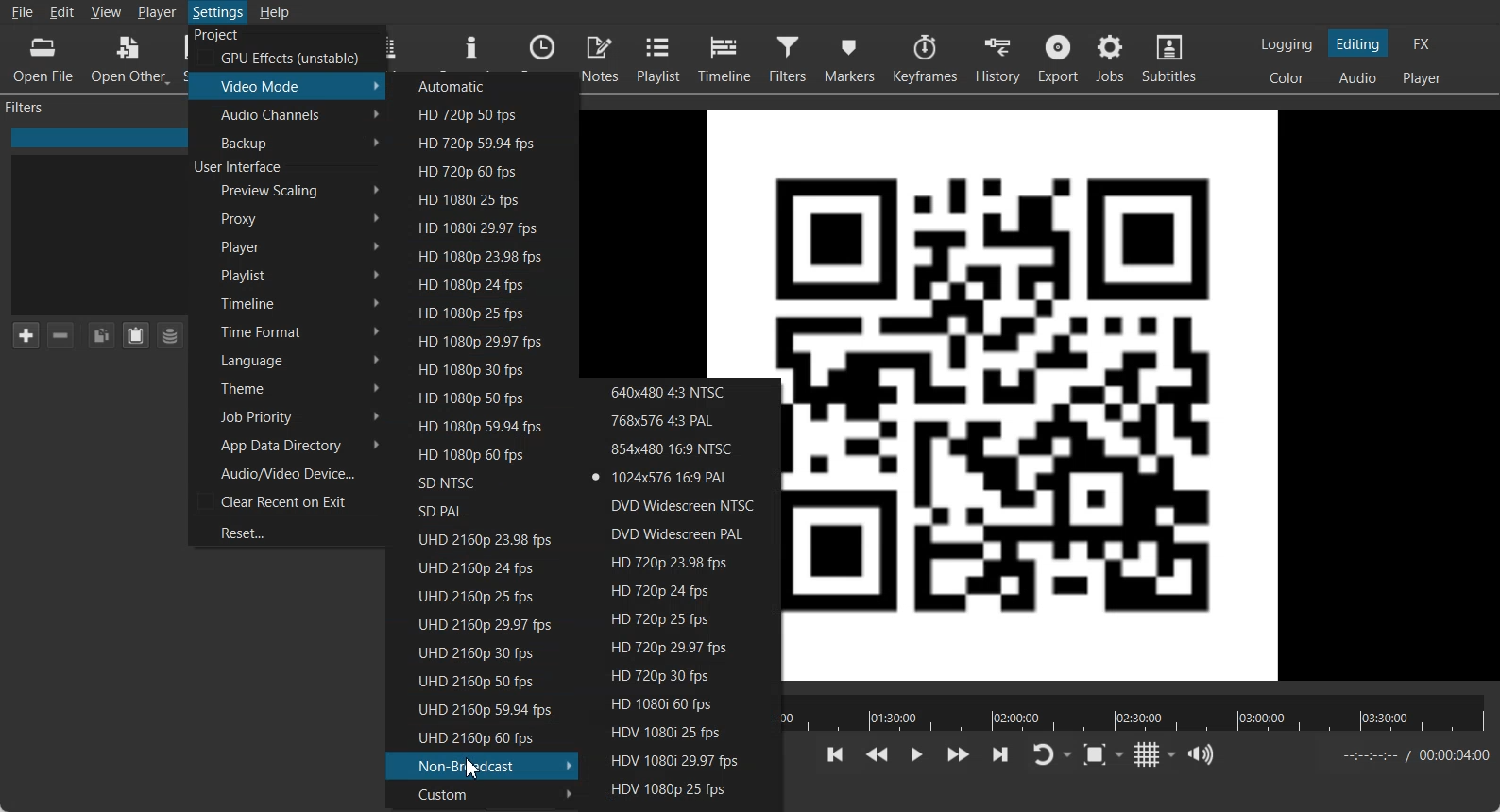  I want to click on Toggle zoom, so click(1103, 754).